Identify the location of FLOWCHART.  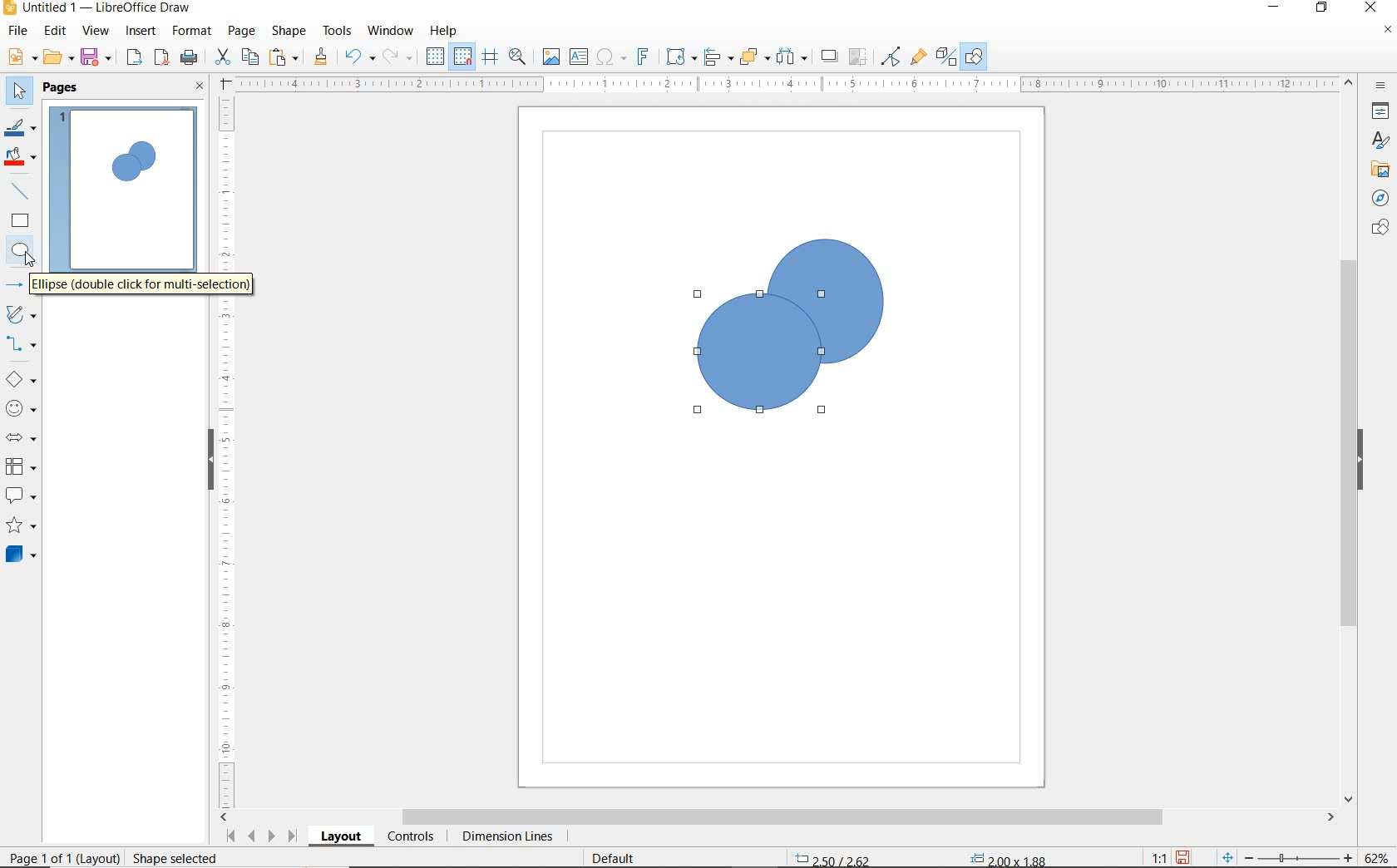
(20, 467).